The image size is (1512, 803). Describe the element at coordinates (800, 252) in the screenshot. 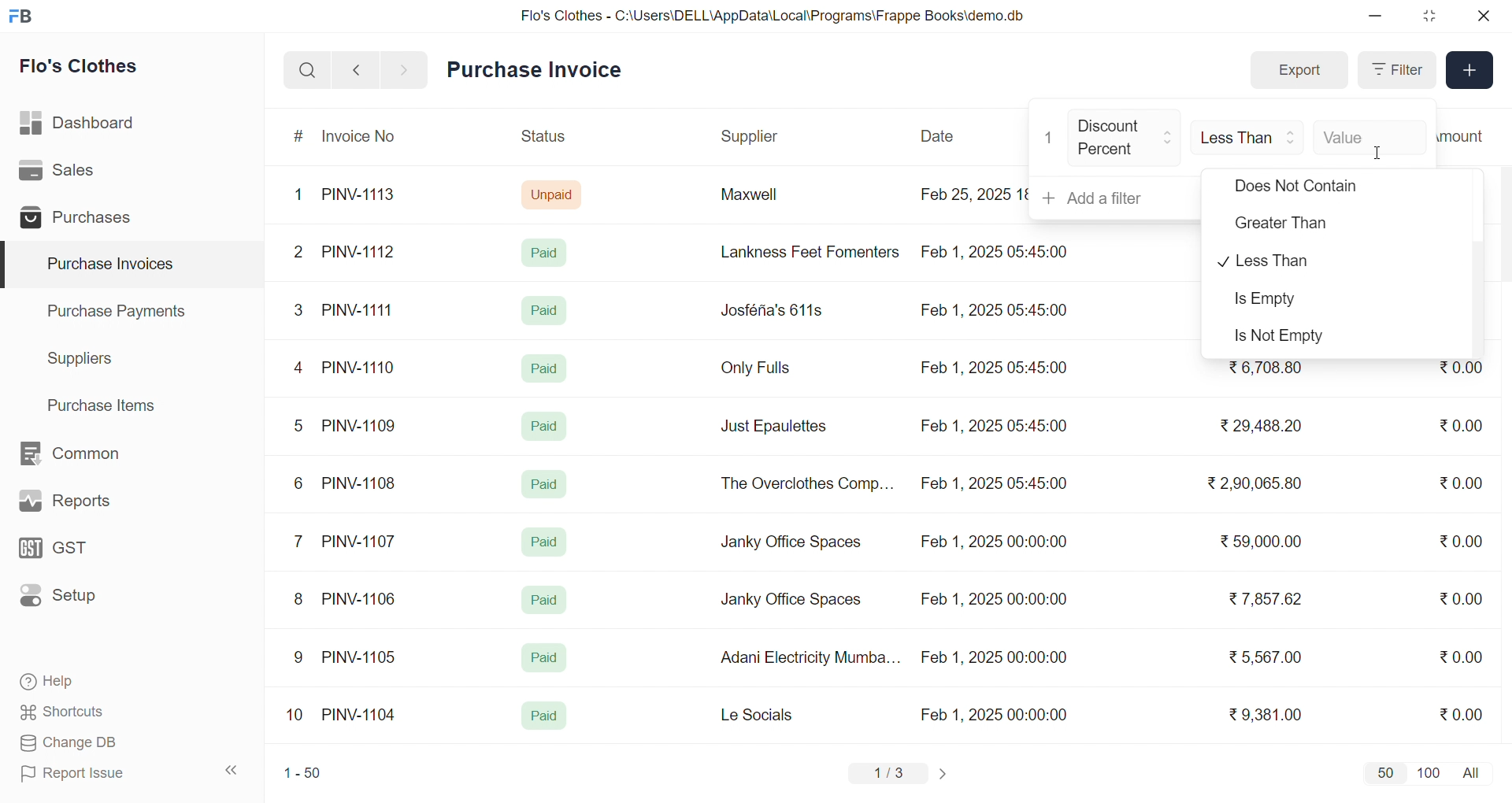

I see `Lankness Feet Fomenters` at that location.